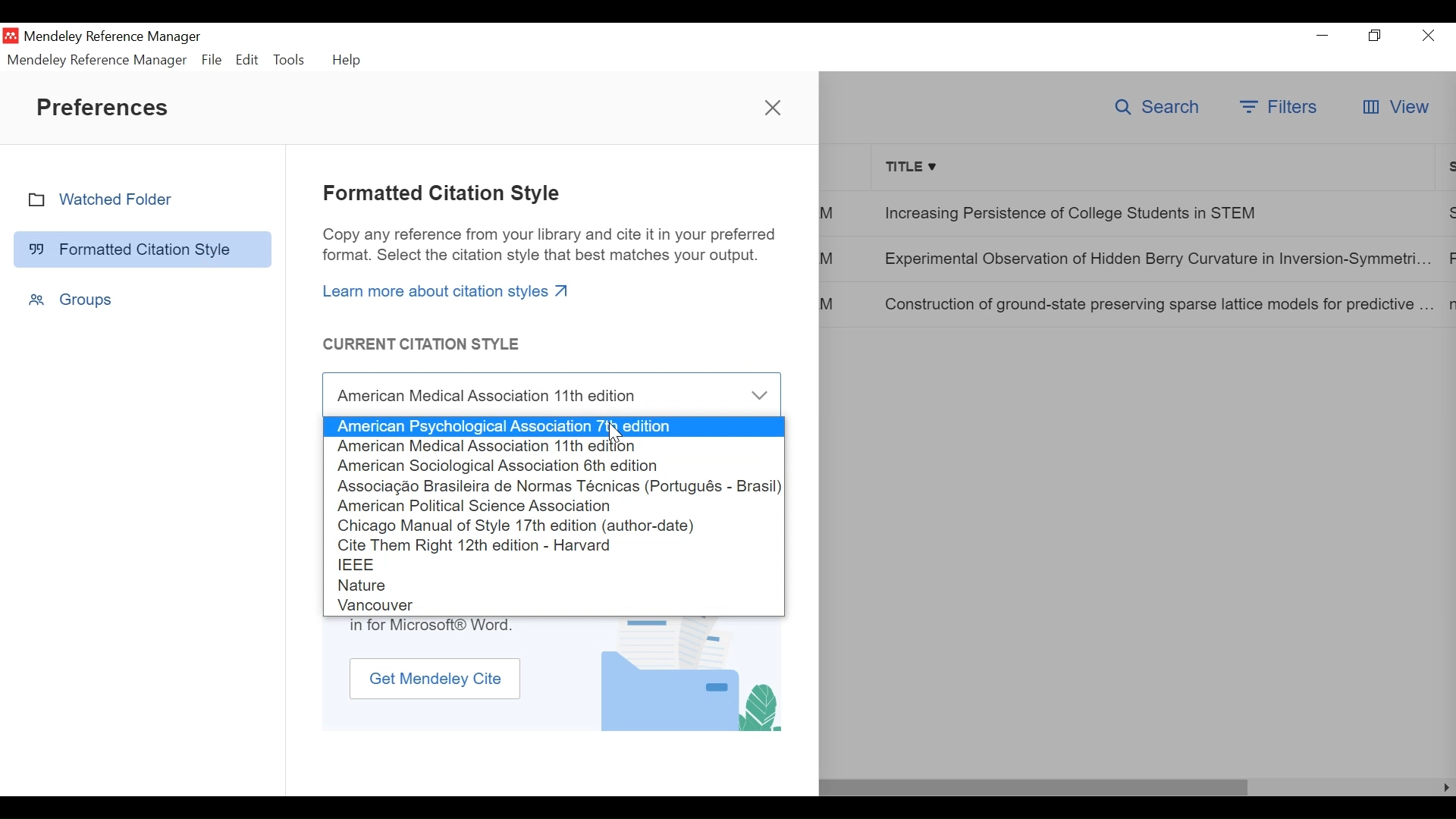  Describe the element at coordinates (554, 605) in the screenshot. I see `Vancouver` at that location.